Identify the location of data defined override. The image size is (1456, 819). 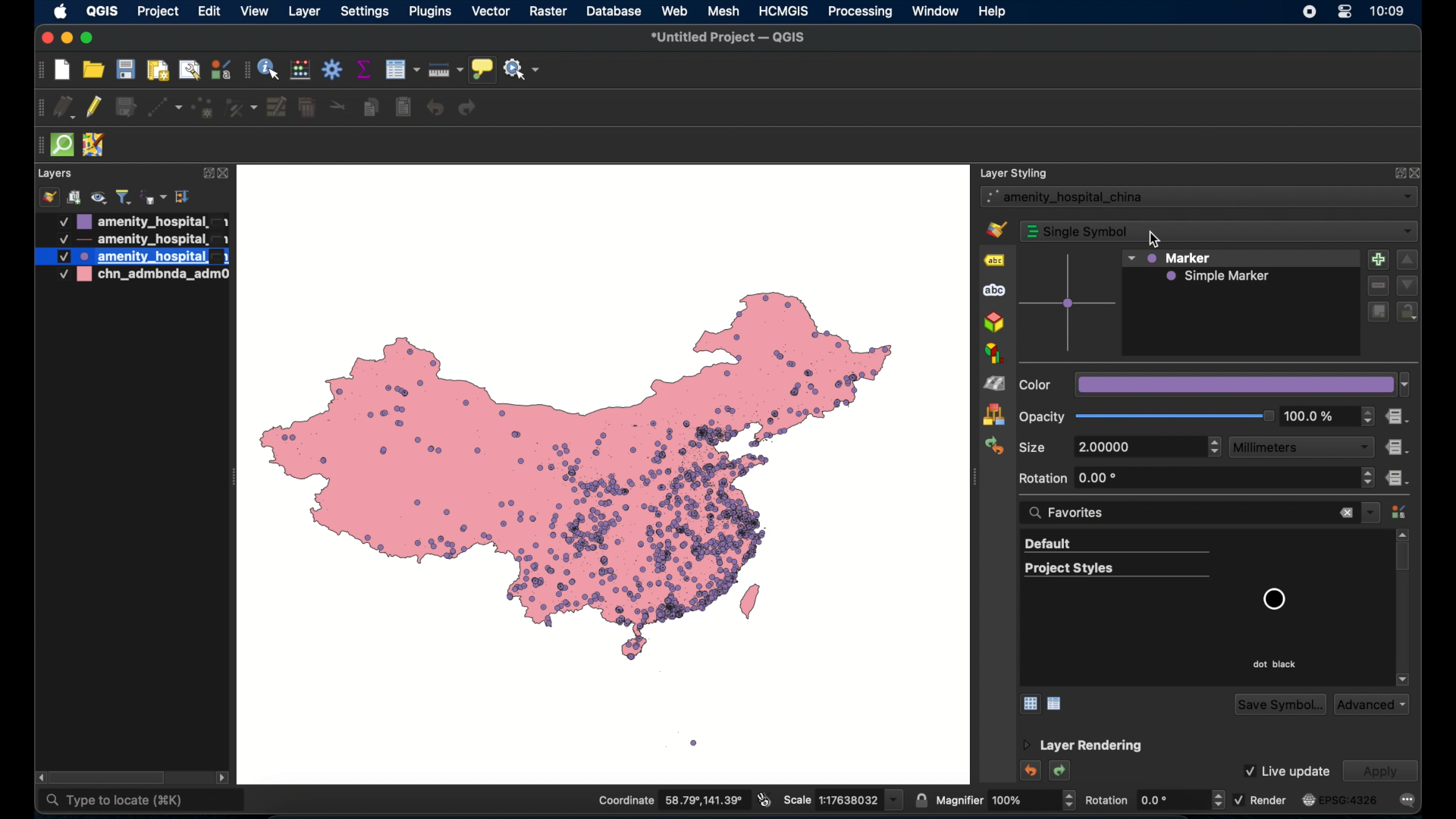
(1398, 417).